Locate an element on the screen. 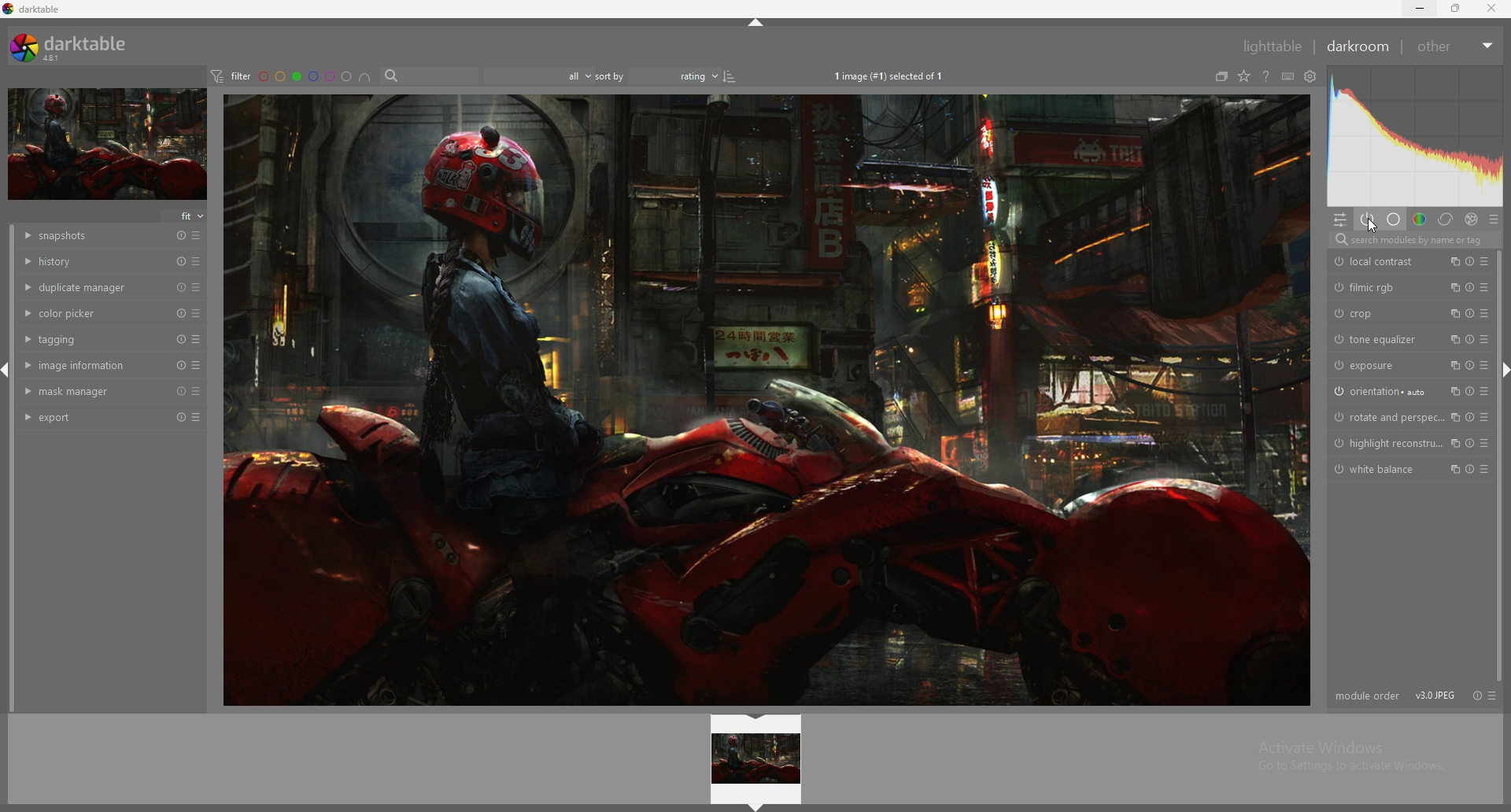 The height and width of the screenshot is (812, 1511). module order is located at coordinates (1367, 696).